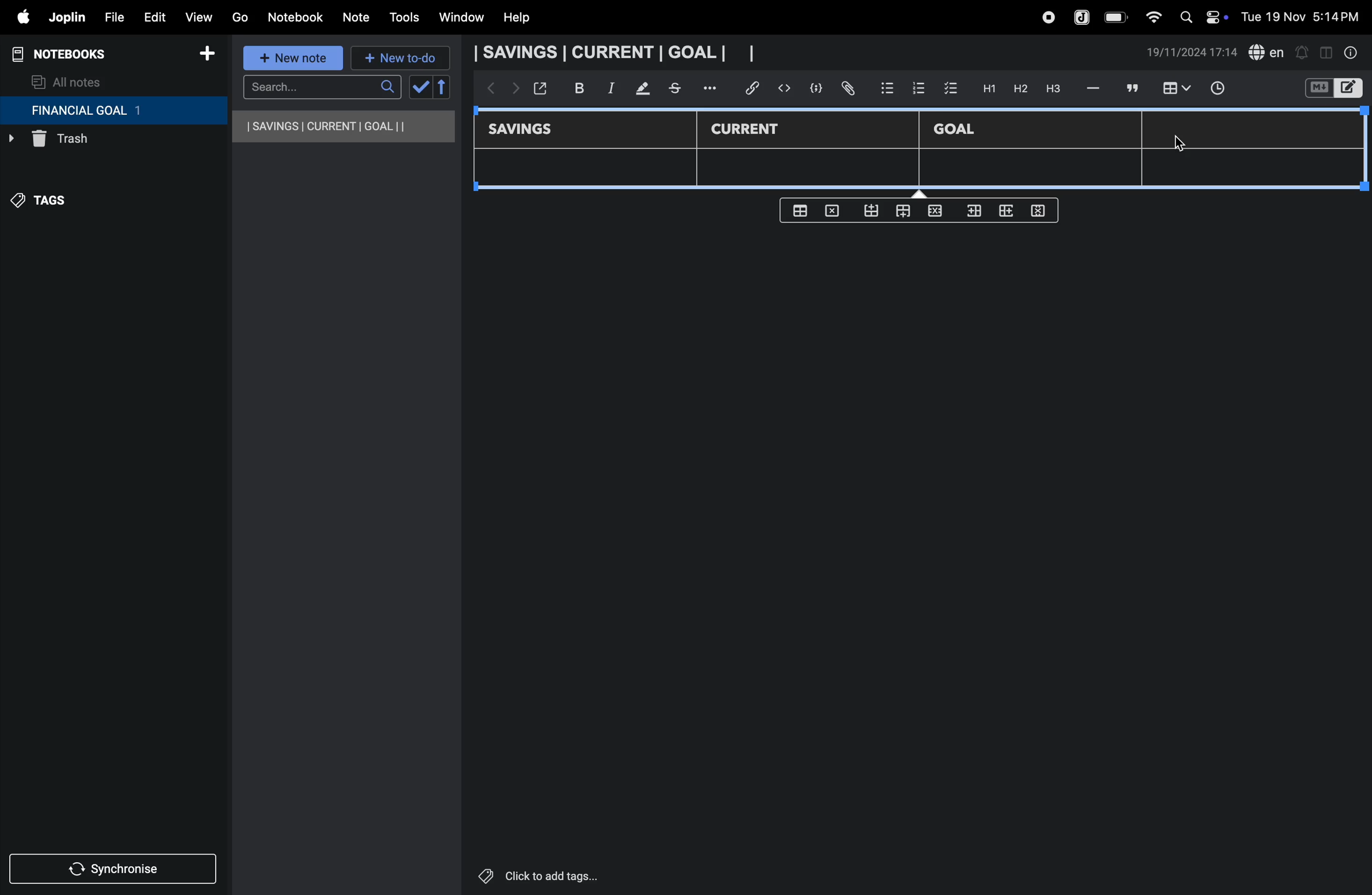 This screenshot has height=895, width=1372. I want to click on savings current goal, so click(624, 54).